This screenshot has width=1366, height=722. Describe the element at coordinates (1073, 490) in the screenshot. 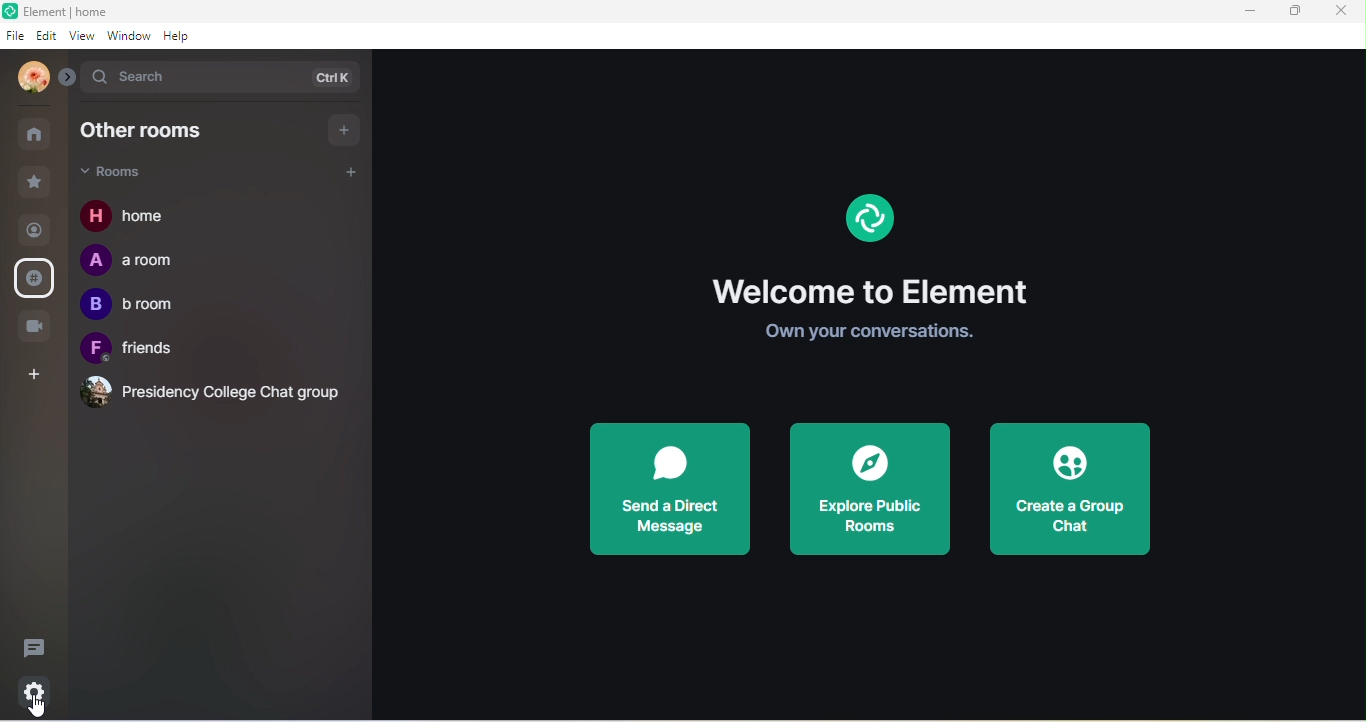

I see `create a group chat` at that location.